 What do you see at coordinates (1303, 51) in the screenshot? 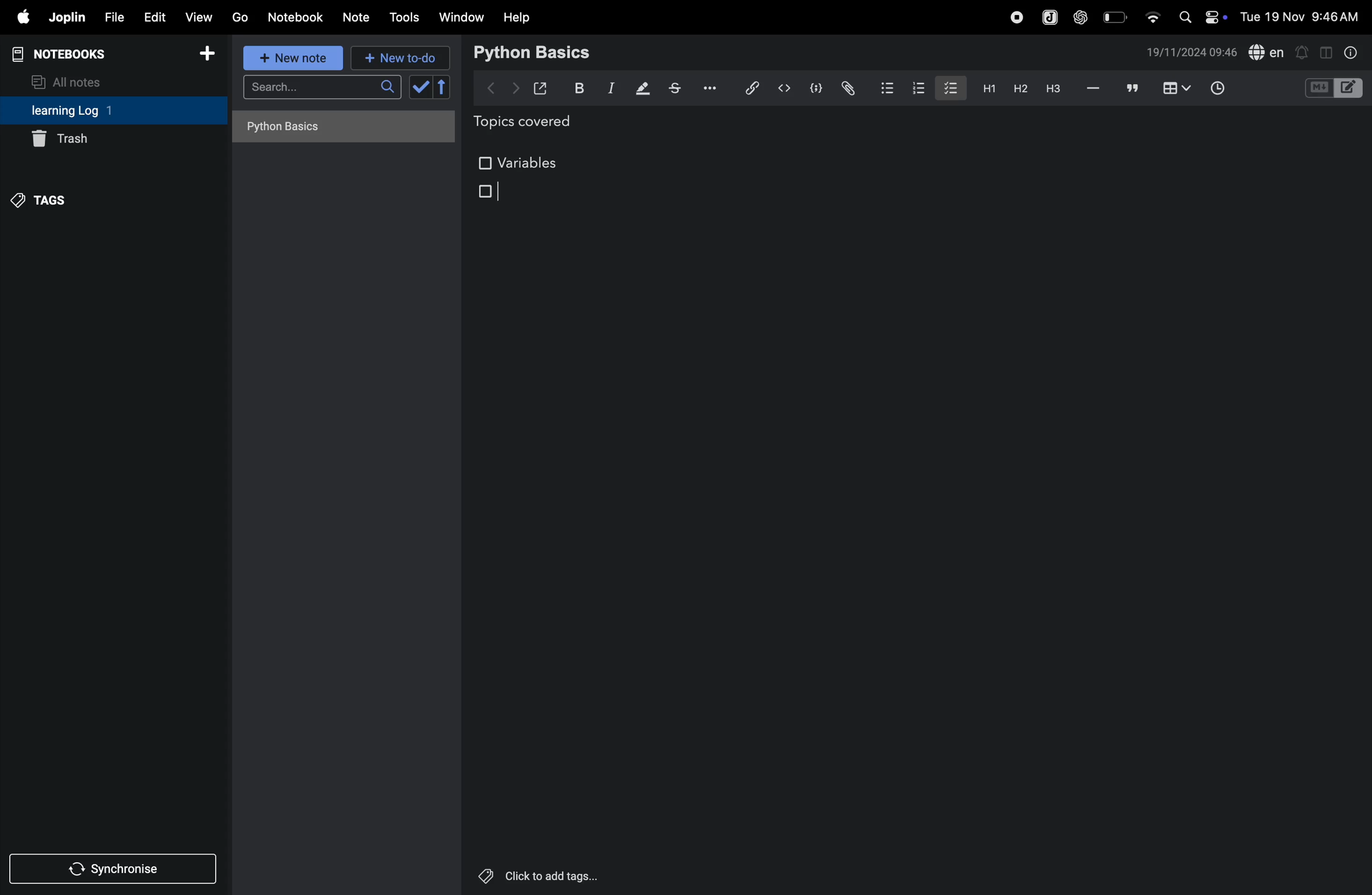
I see `alert` at bounding box center [1303, 51].